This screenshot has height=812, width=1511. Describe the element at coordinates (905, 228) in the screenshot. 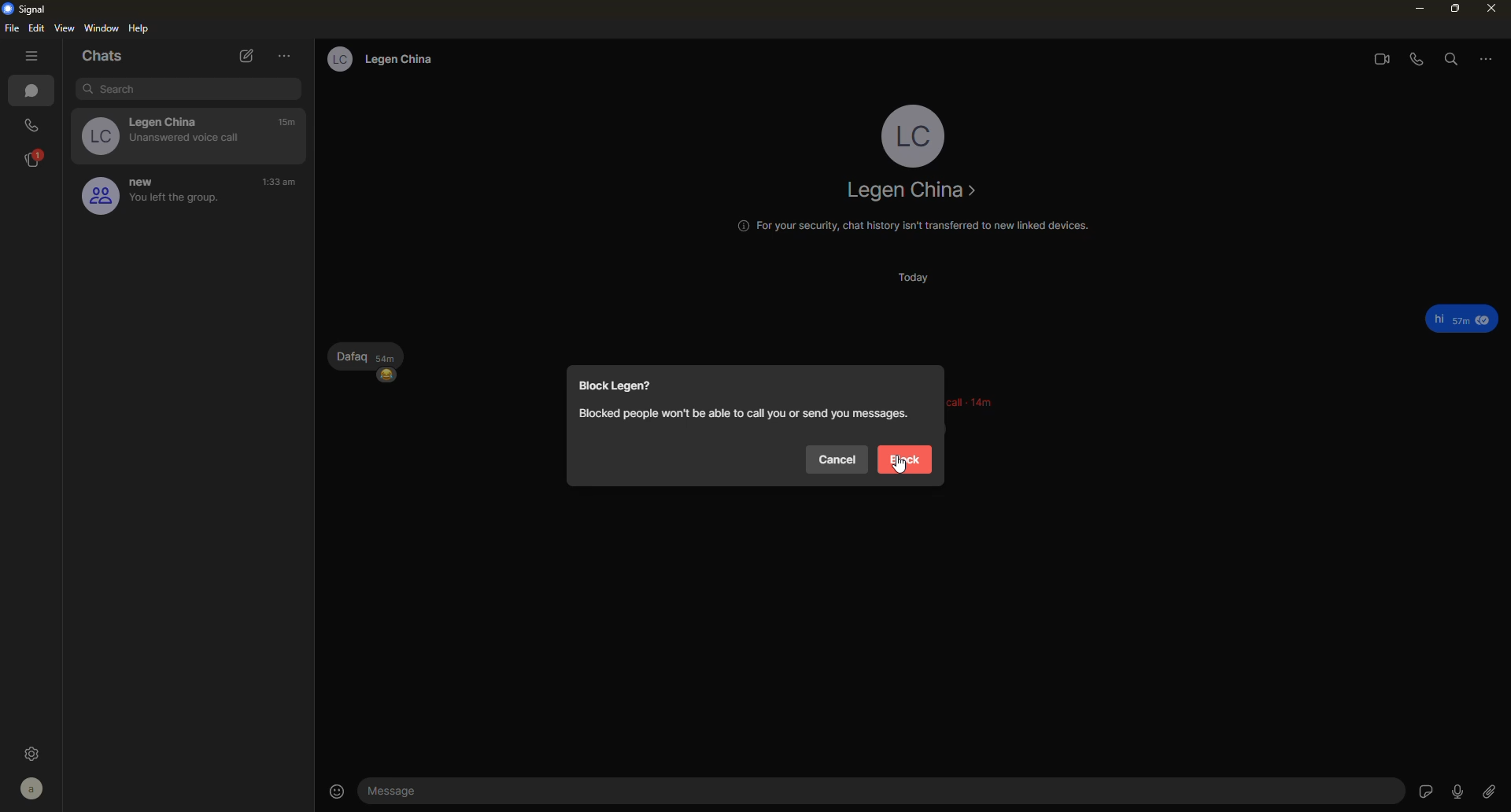

I see `© For your security, chat history isn't transferred to new linked devices.` at that location.